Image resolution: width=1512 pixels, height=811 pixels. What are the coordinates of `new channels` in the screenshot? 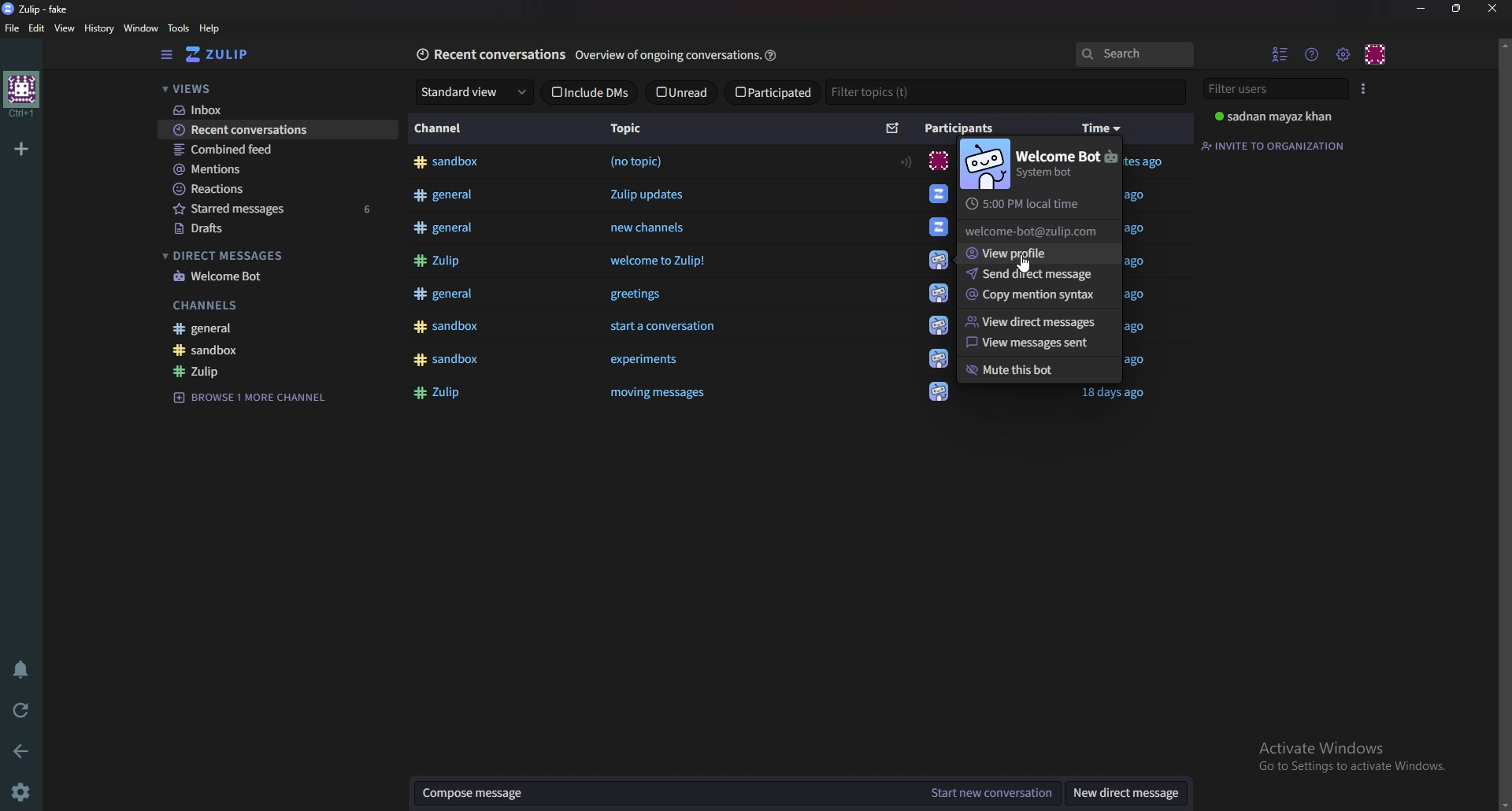 It's located at (650, 228).